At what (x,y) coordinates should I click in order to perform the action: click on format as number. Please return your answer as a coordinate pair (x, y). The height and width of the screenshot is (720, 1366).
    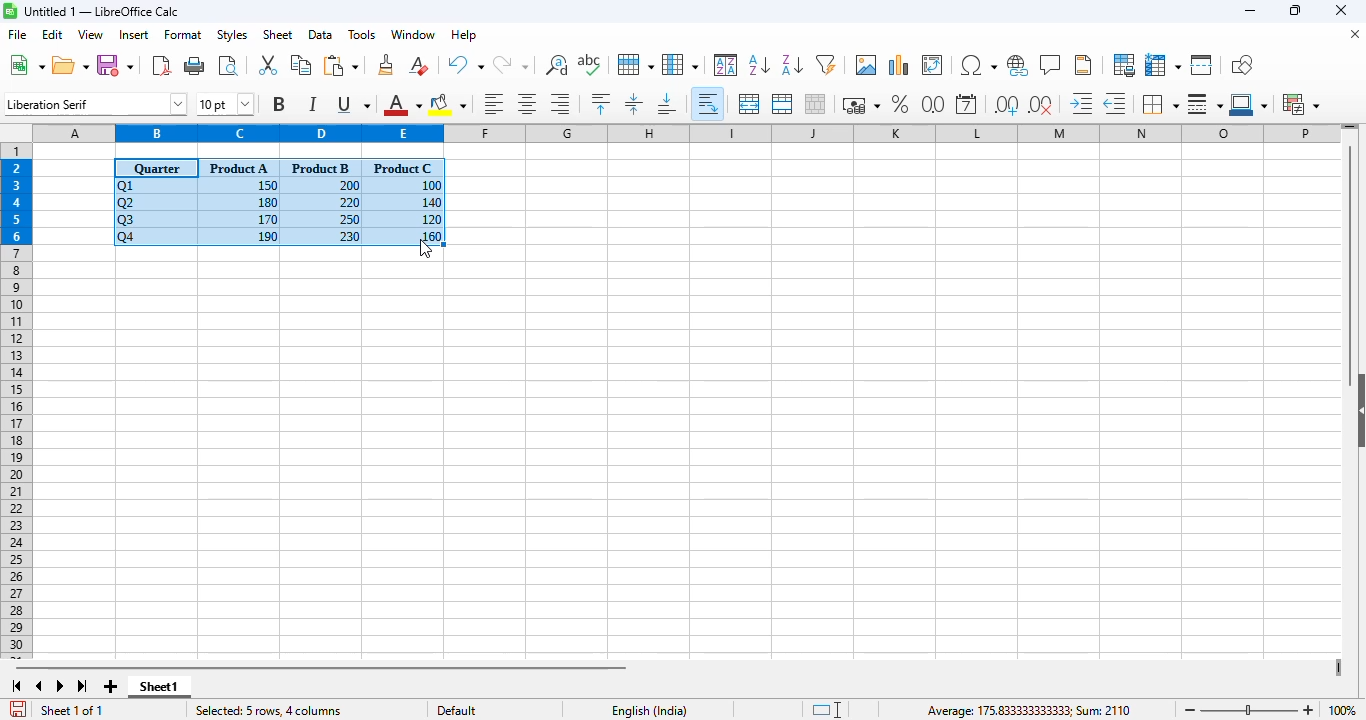
    Looking at the image, I should click on (933, 104).